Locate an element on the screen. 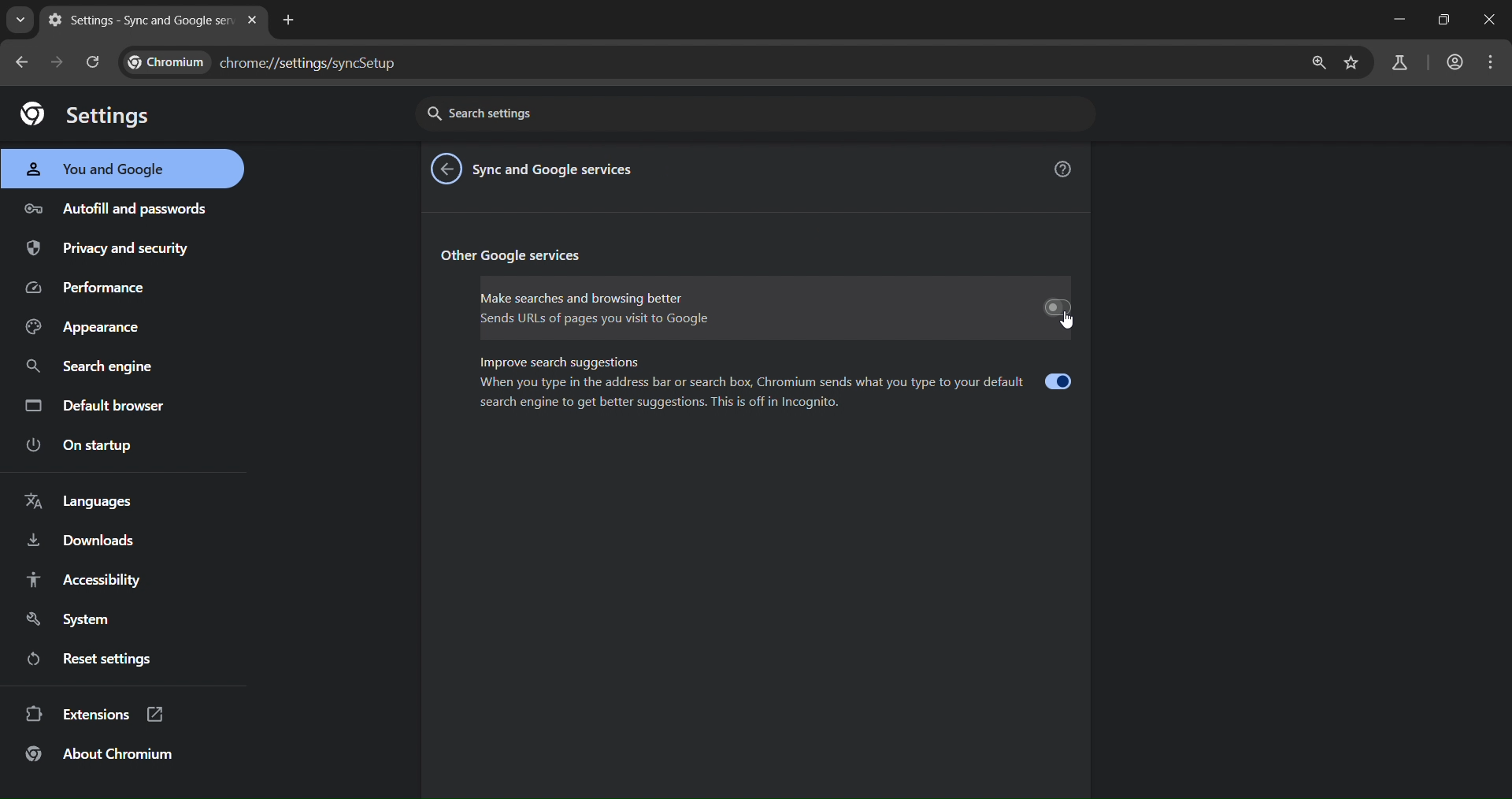 This screenshot has width=1512, height=799. go back is located at coordinates (446, 170).